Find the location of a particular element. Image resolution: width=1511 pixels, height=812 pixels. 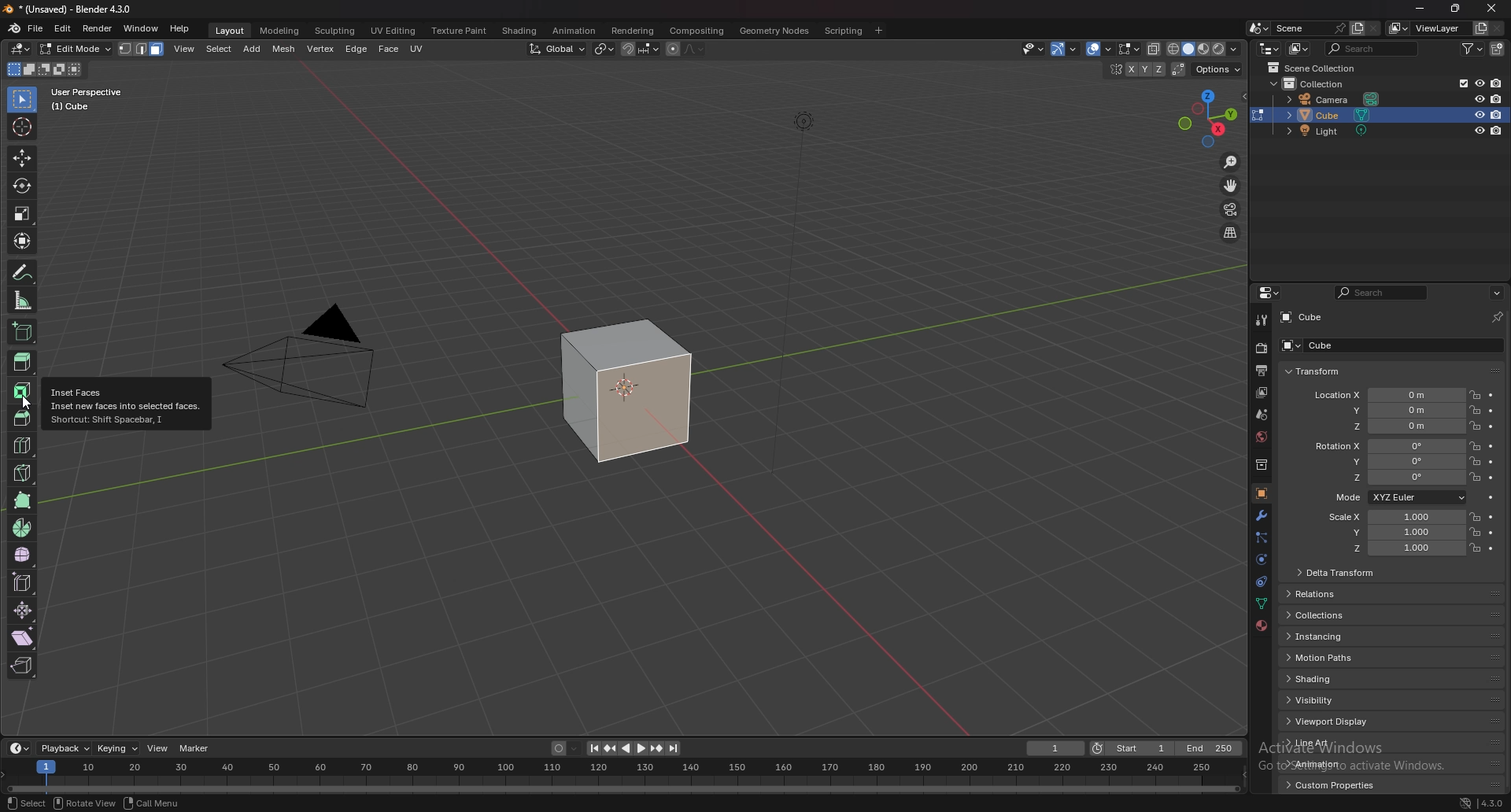

geometry is located at coordinates (776, 31).